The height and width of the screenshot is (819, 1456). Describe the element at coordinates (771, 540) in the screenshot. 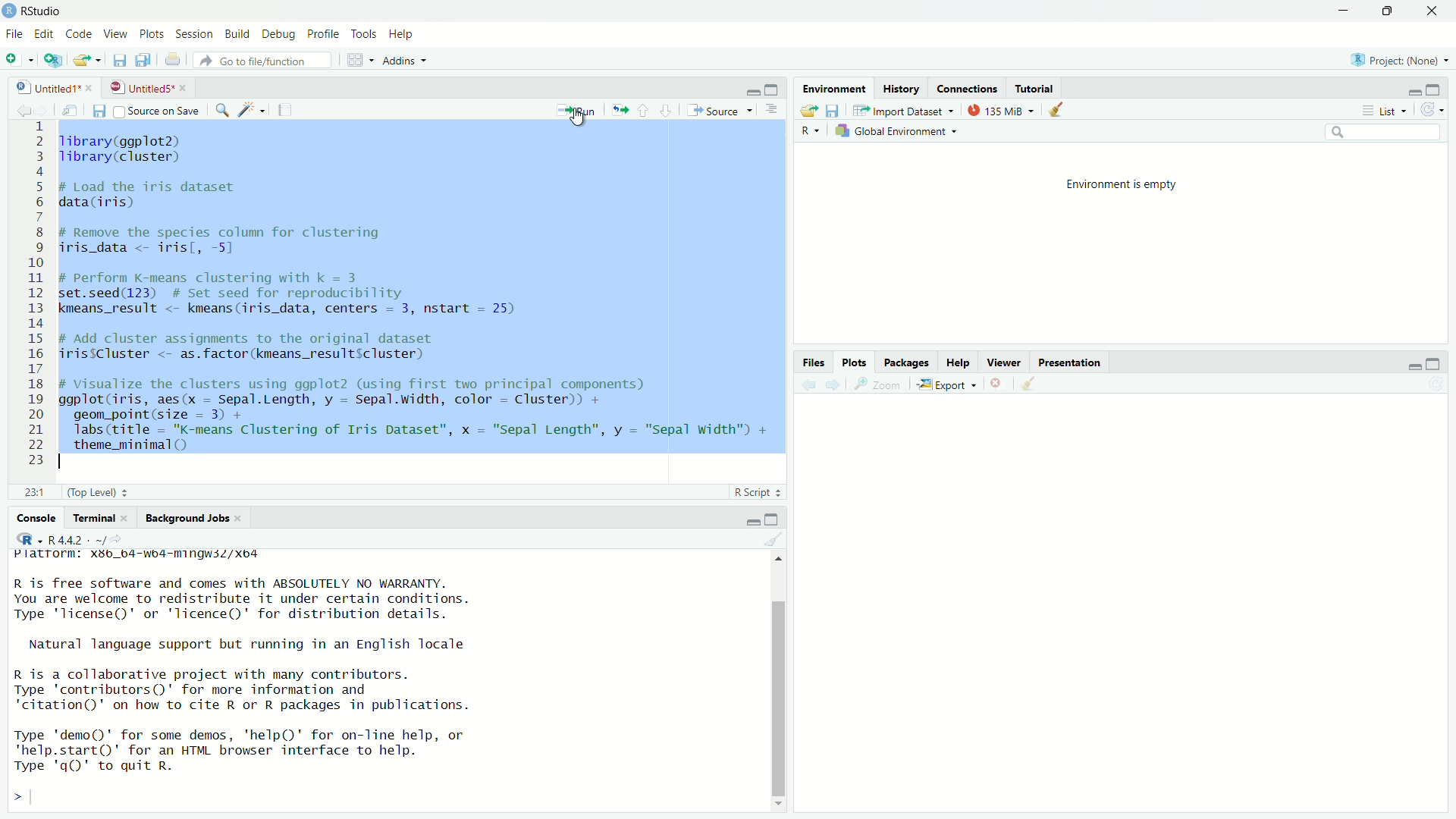

I see `clear console` at that location.